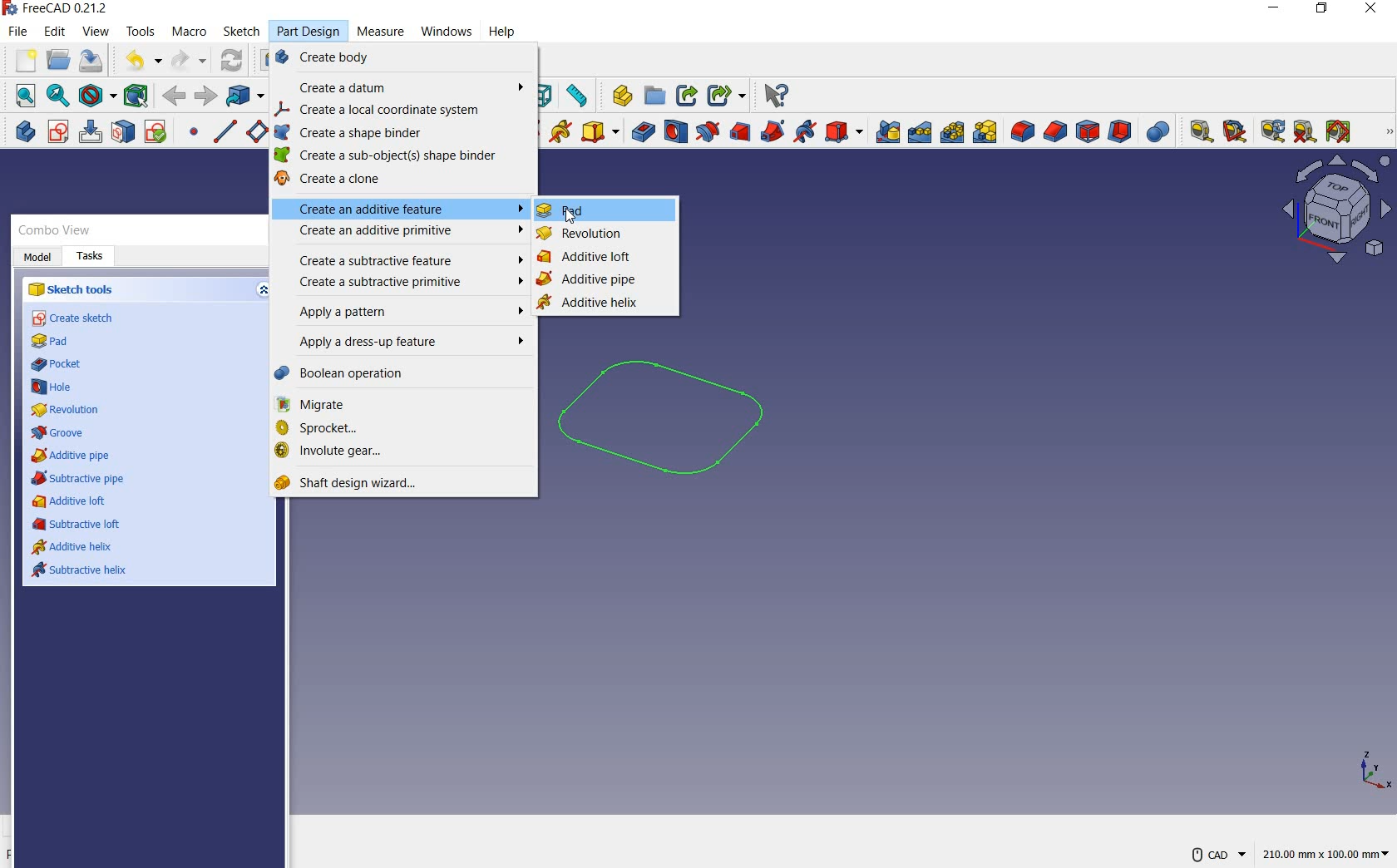 The width and height of the screenshot is (1397, 868). I want to click on view, so click(96, 32).